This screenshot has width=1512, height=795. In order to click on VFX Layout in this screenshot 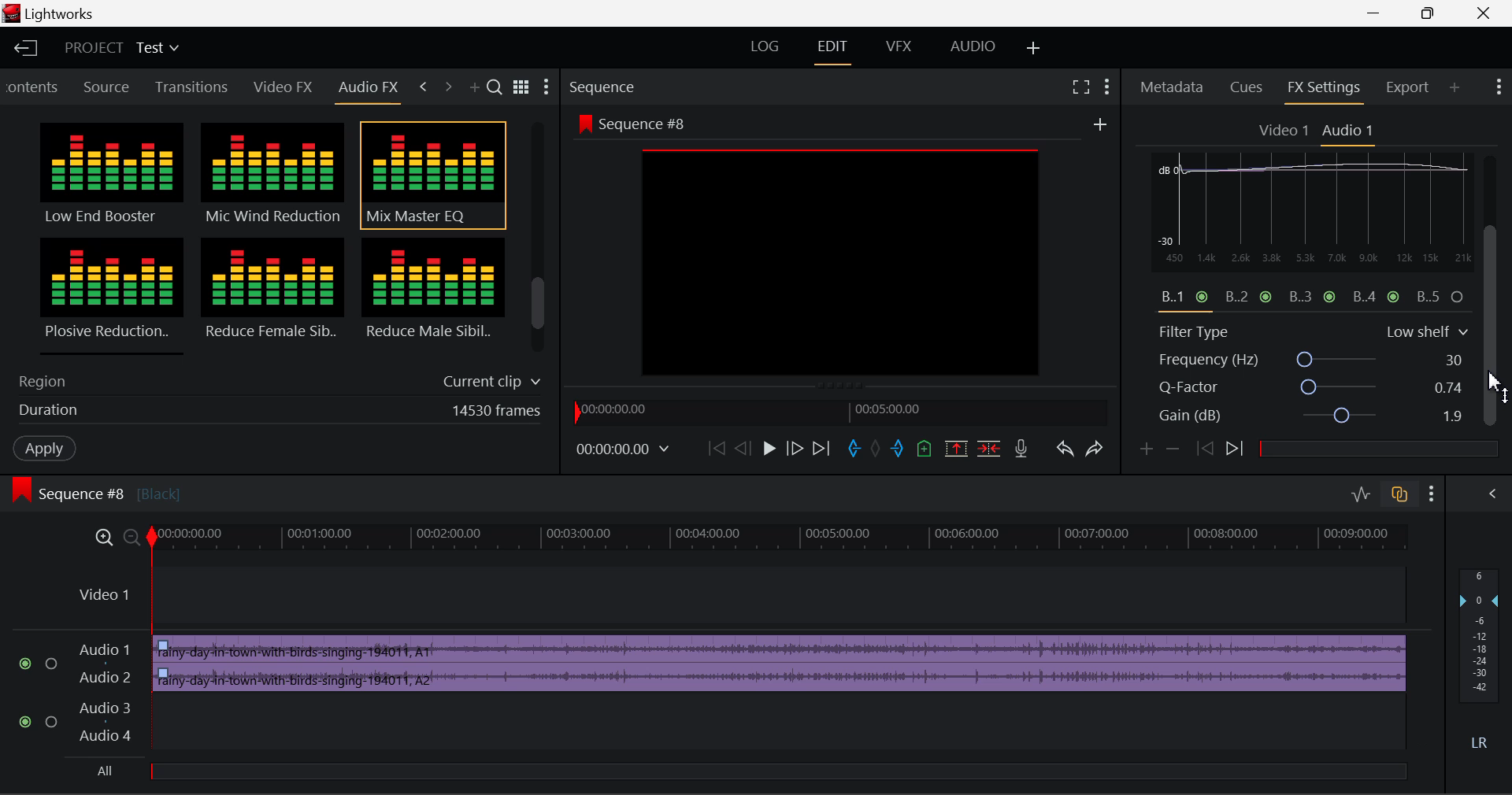, I will do `click(902, 50)`.